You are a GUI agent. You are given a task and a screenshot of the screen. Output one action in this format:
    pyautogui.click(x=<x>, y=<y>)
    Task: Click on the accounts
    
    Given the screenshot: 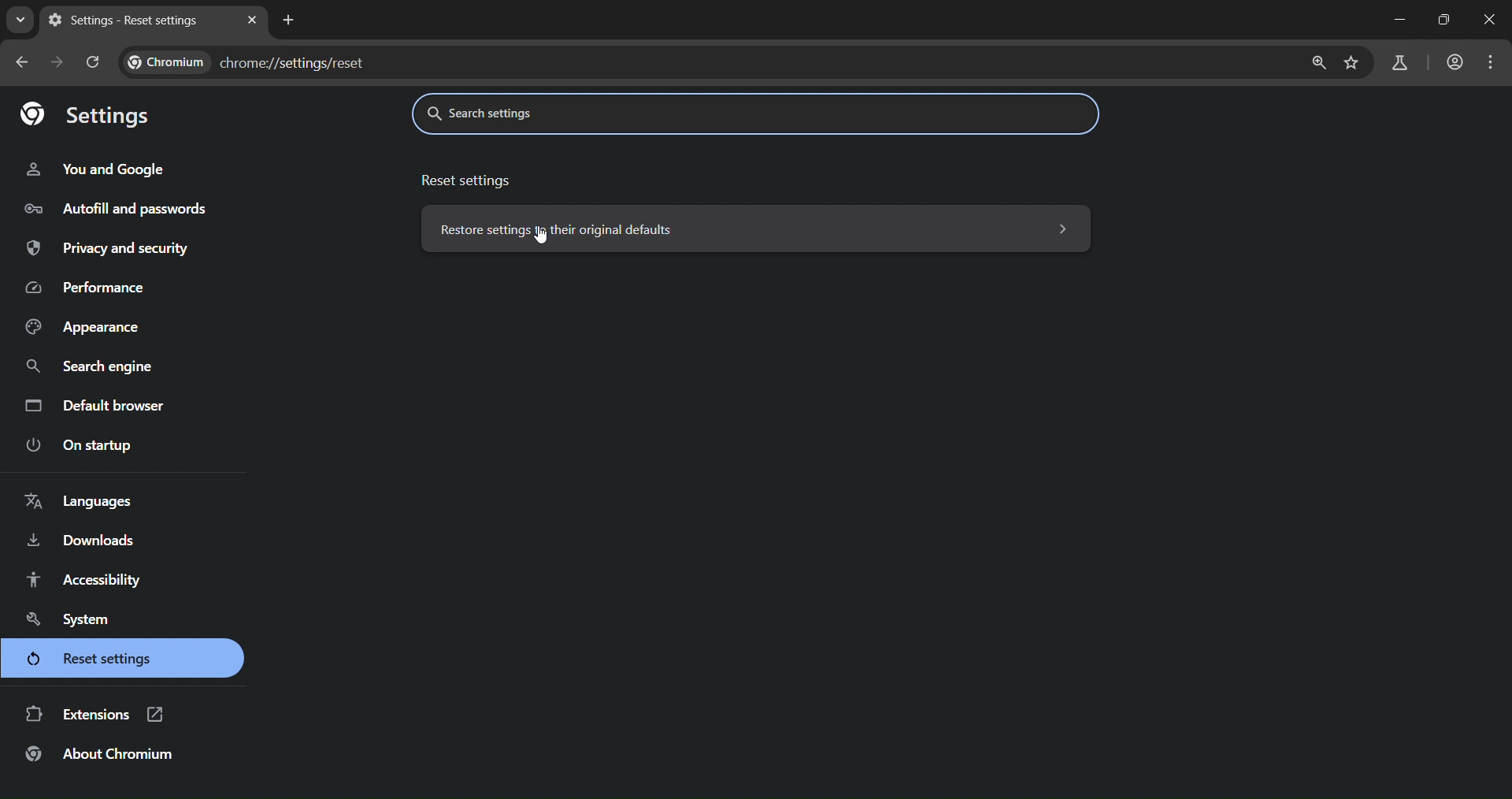 What is the action you would take?
    pyautogui.click(x=1455, y=61)
    